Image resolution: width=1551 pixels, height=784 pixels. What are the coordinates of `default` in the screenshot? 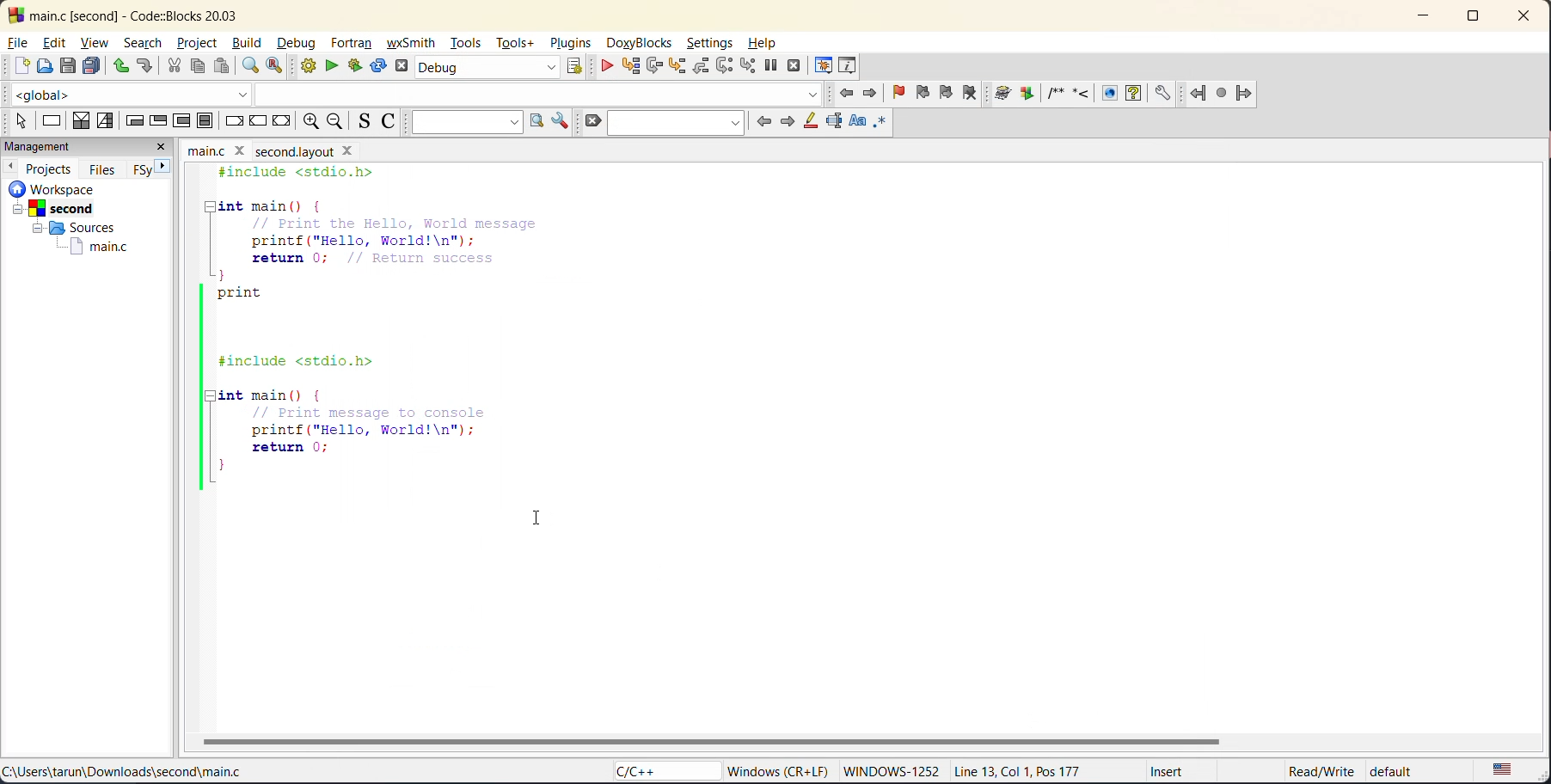 It's located at (1407, 772).